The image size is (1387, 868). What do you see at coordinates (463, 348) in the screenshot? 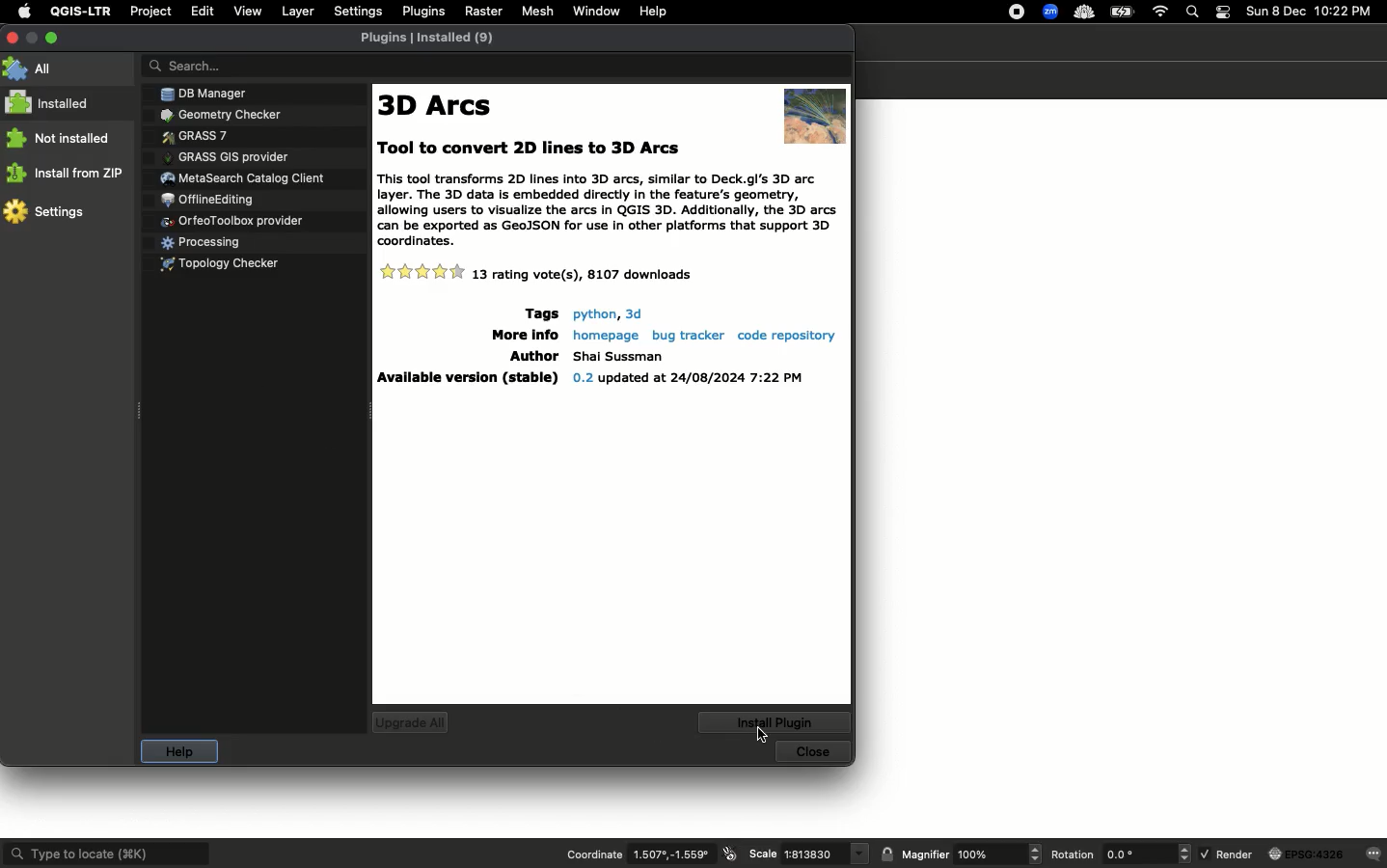
I see `Tags

More info

Author

Available version (stable)` at bounding box center [463, 348].